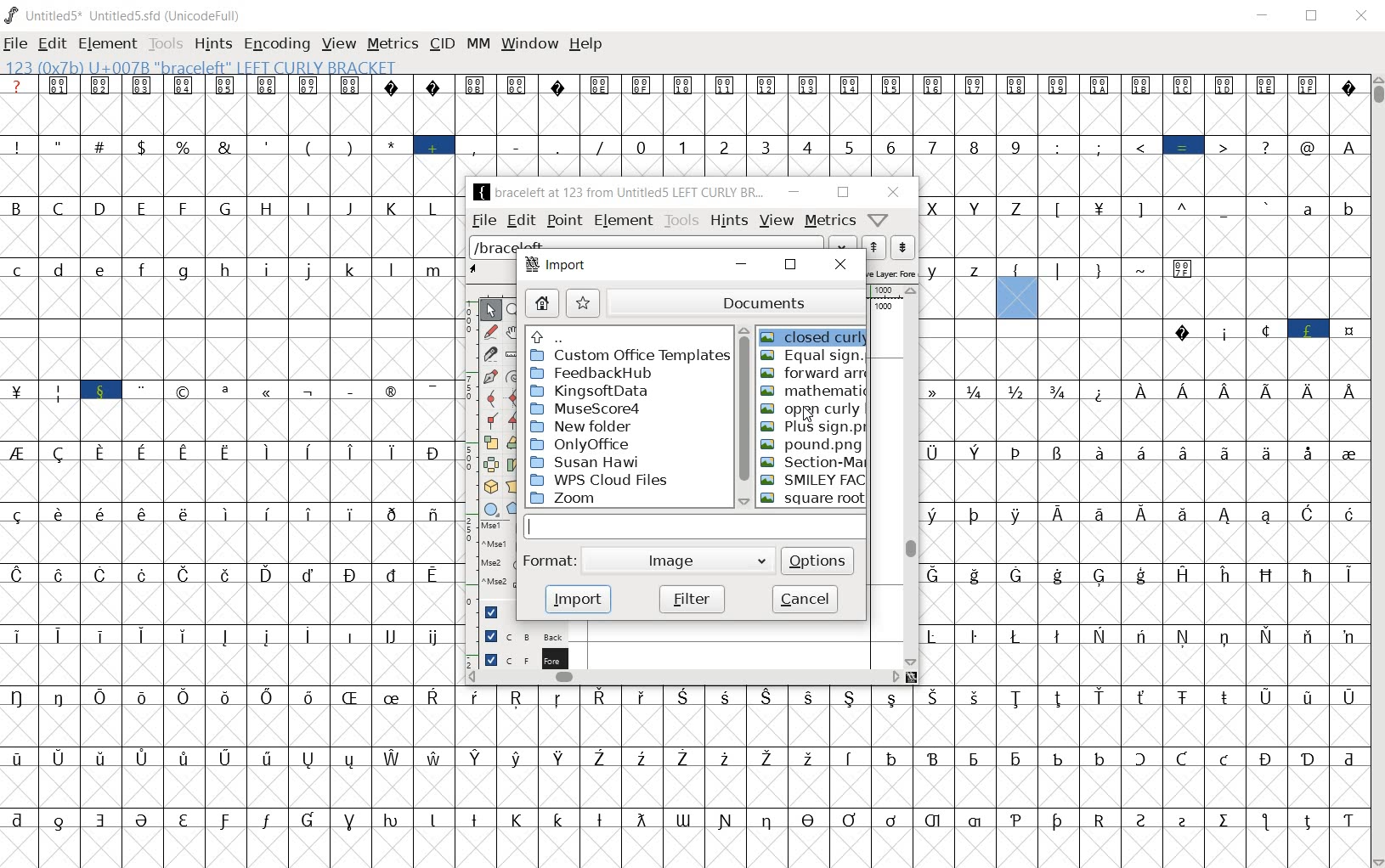 This screenshot has height=868, width=1385. I want to click on scrollbar, so click(1377, 471).